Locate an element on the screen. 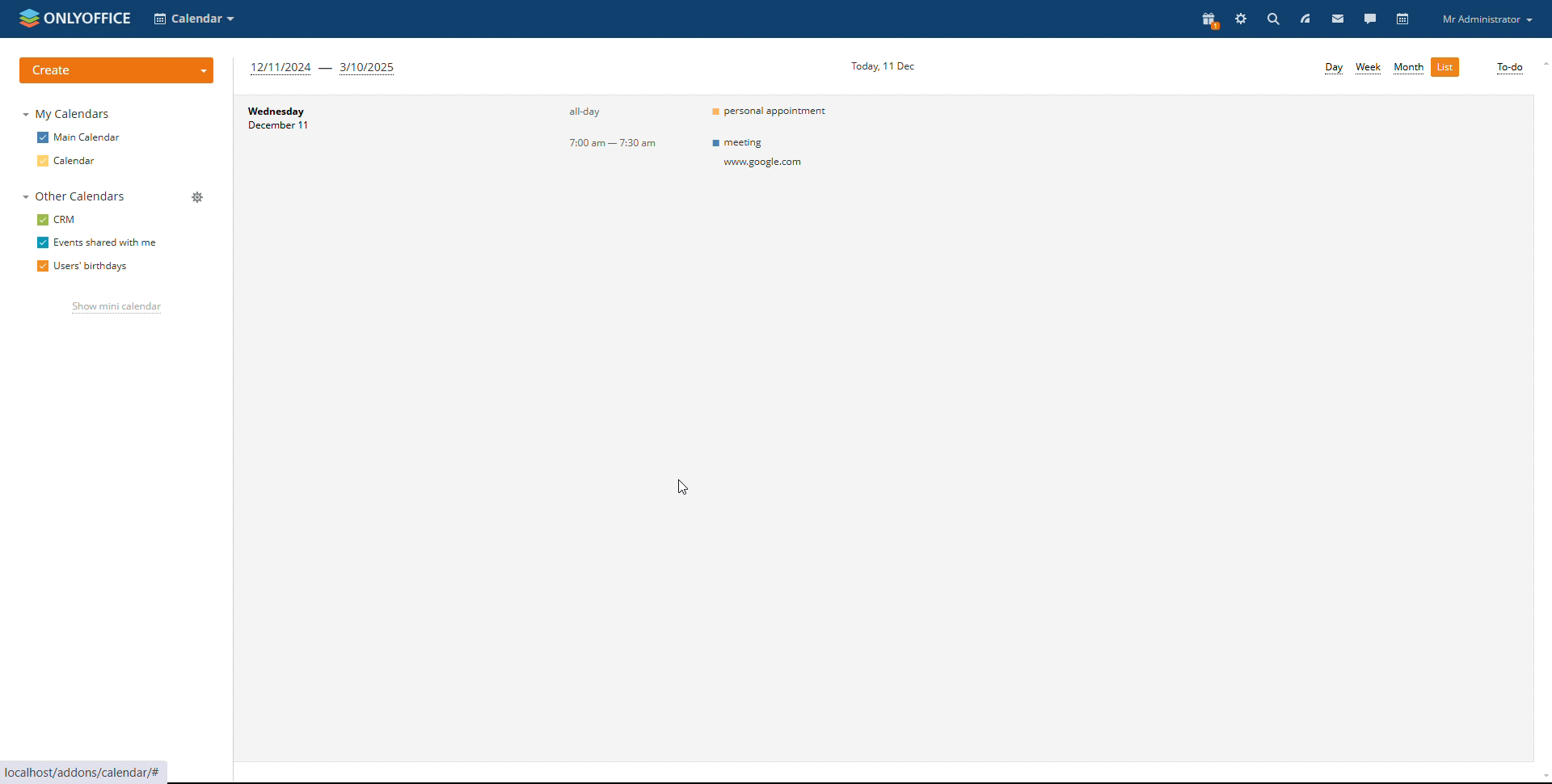  event timings is located at coordinates (618, 129).